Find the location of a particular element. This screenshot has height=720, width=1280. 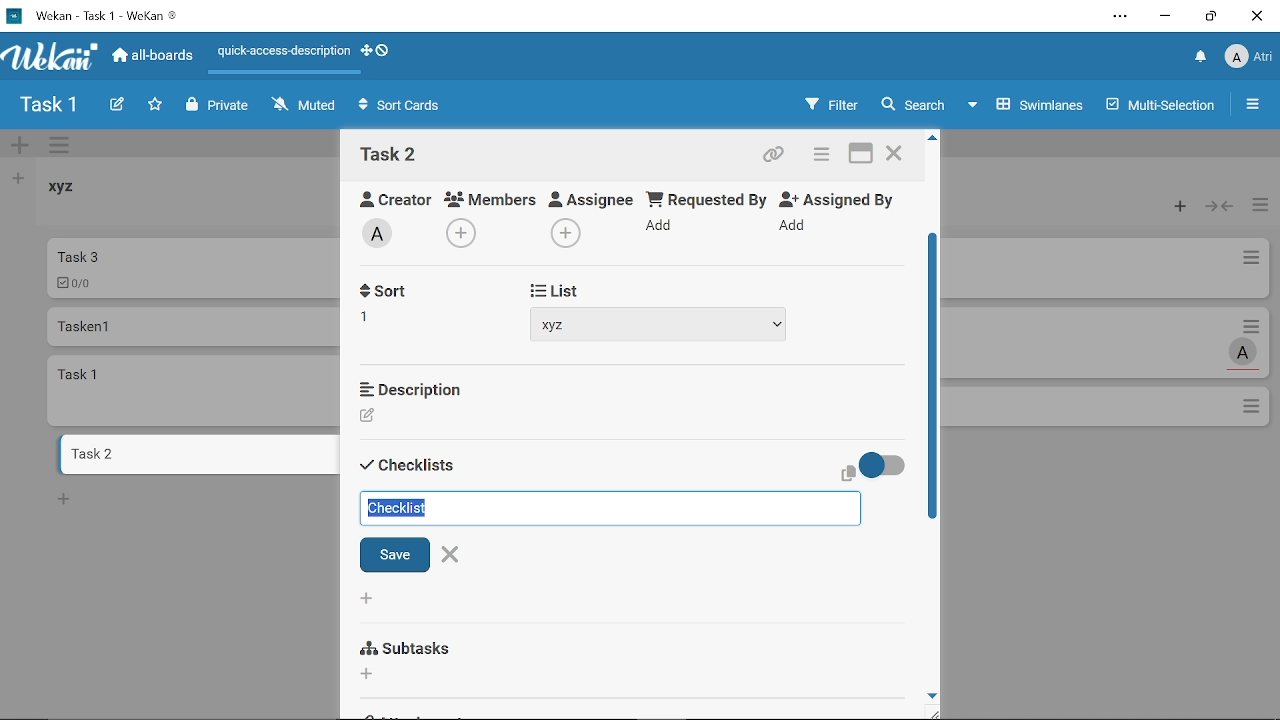

Swimlanes is located at coordinates (1028, 103).